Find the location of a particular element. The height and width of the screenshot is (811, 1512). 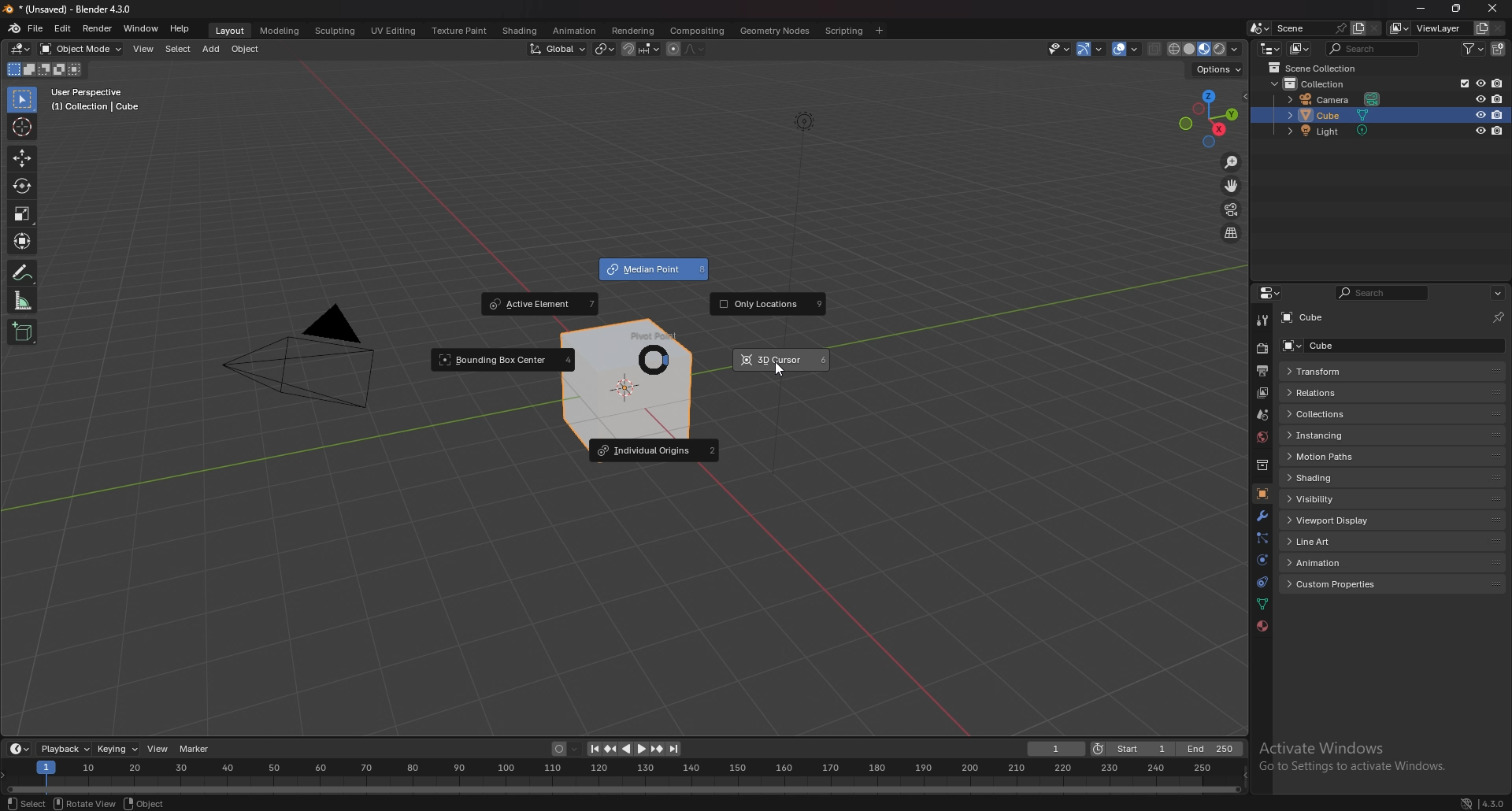

render is located at coordinates (1262, 350).